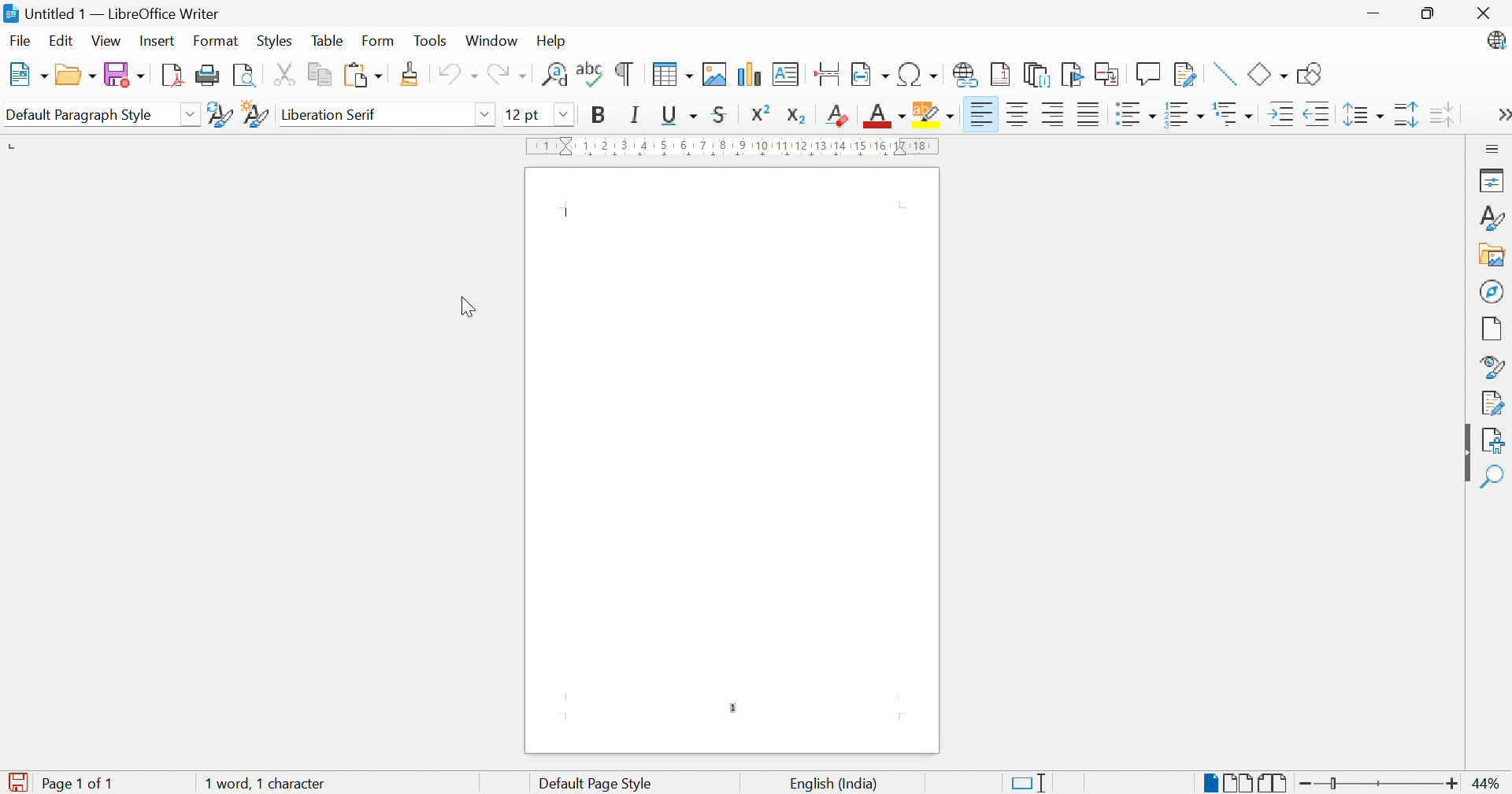 The image size is (1512, 794). I want to click on libreoffice writer logo, so click(9, 14).